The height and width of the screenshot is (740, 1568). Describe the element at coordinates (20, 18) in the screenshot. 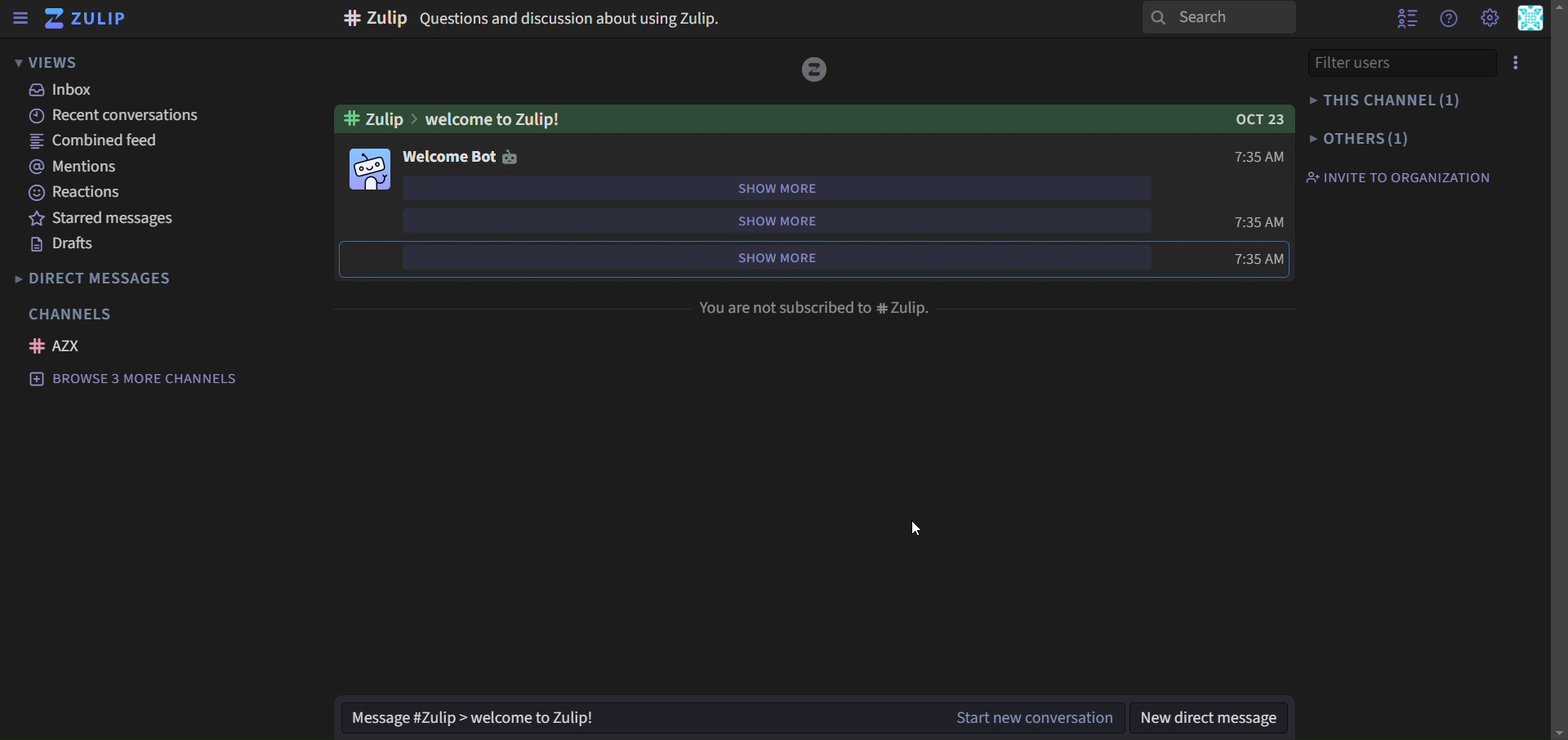

I see `sidebar` at that location.